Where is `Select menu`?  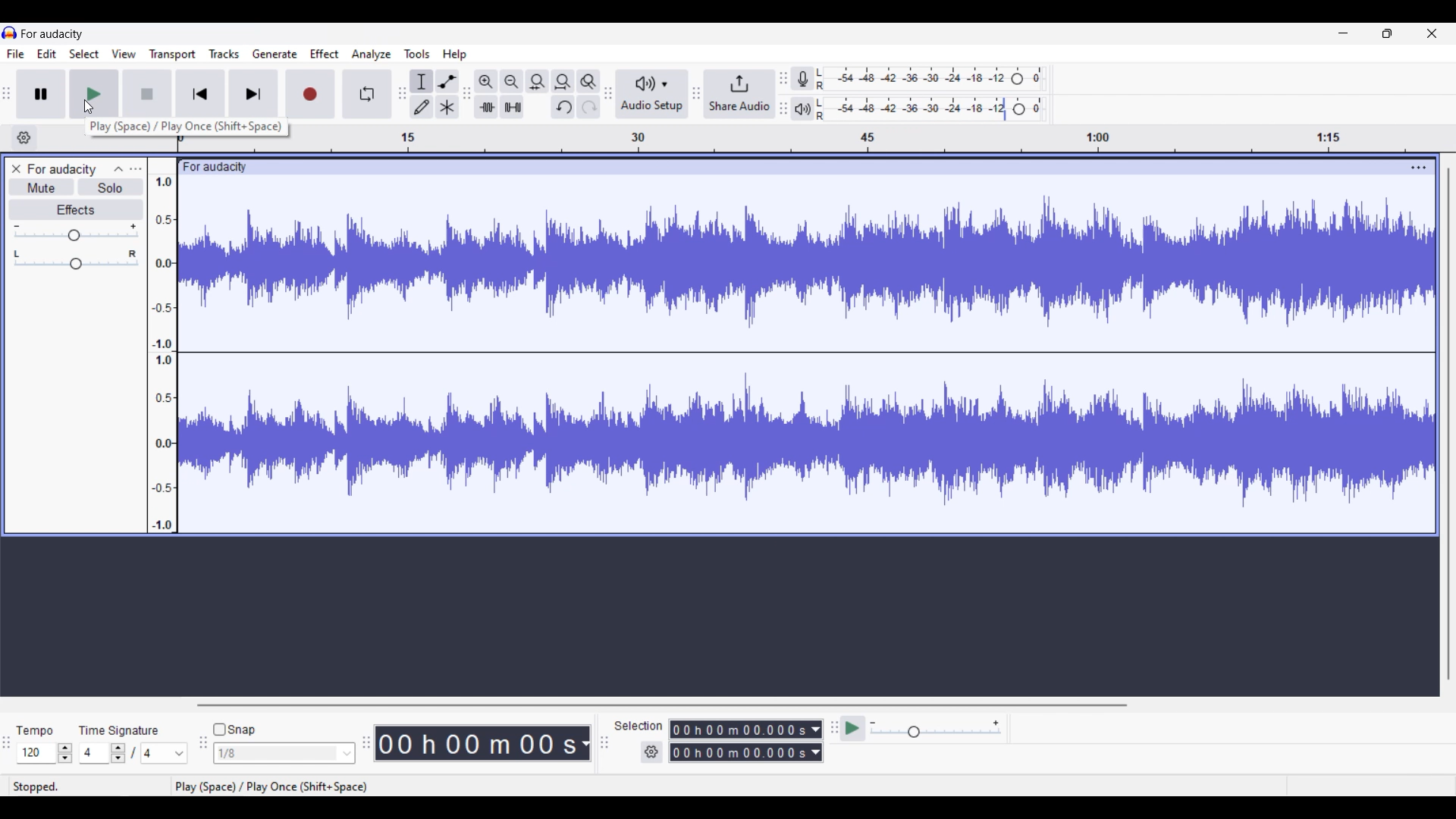
Select menu is located at coordinates (84, 54).